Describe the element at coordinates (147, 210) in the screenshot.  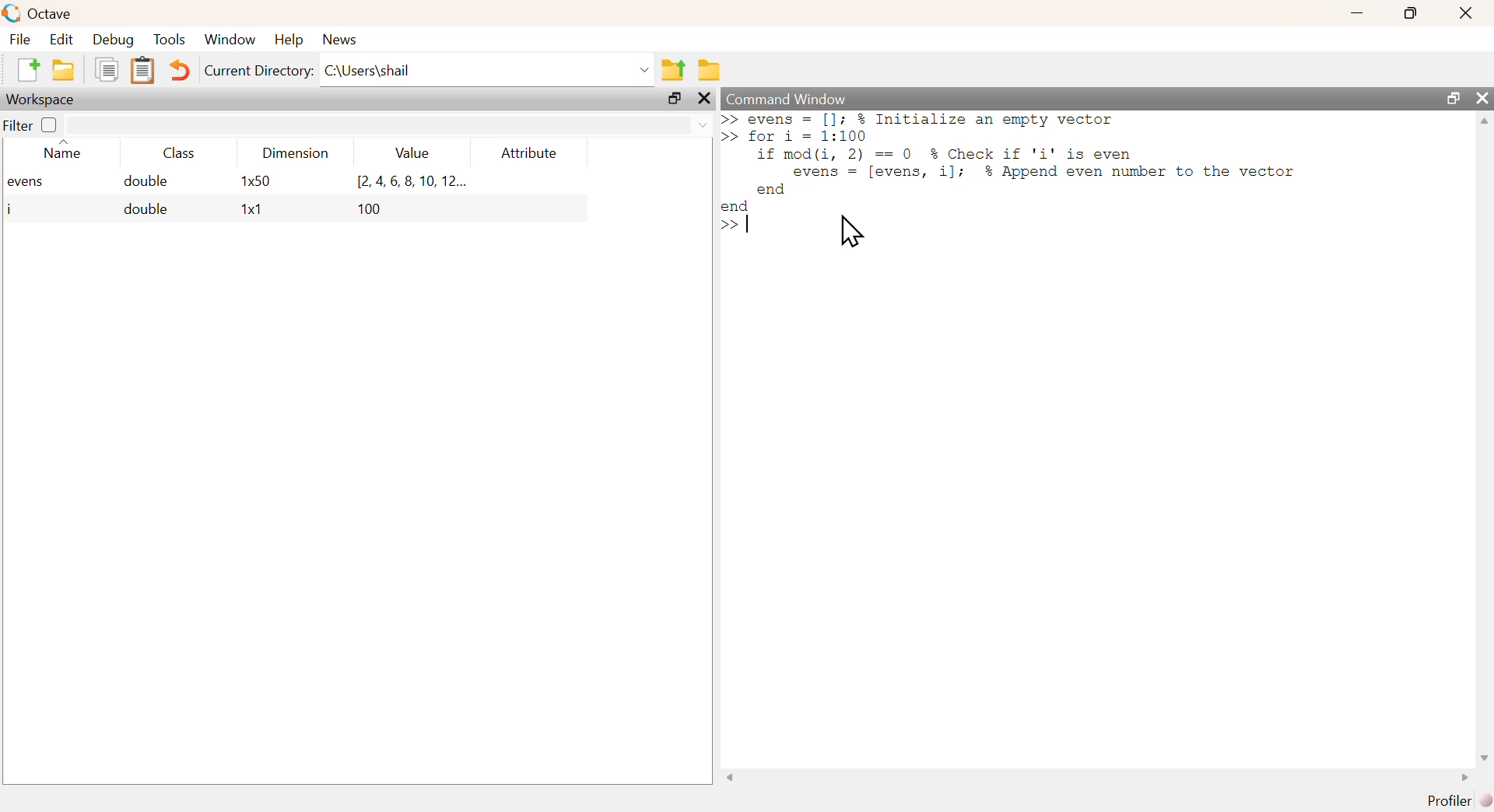
I see `double` at that location.